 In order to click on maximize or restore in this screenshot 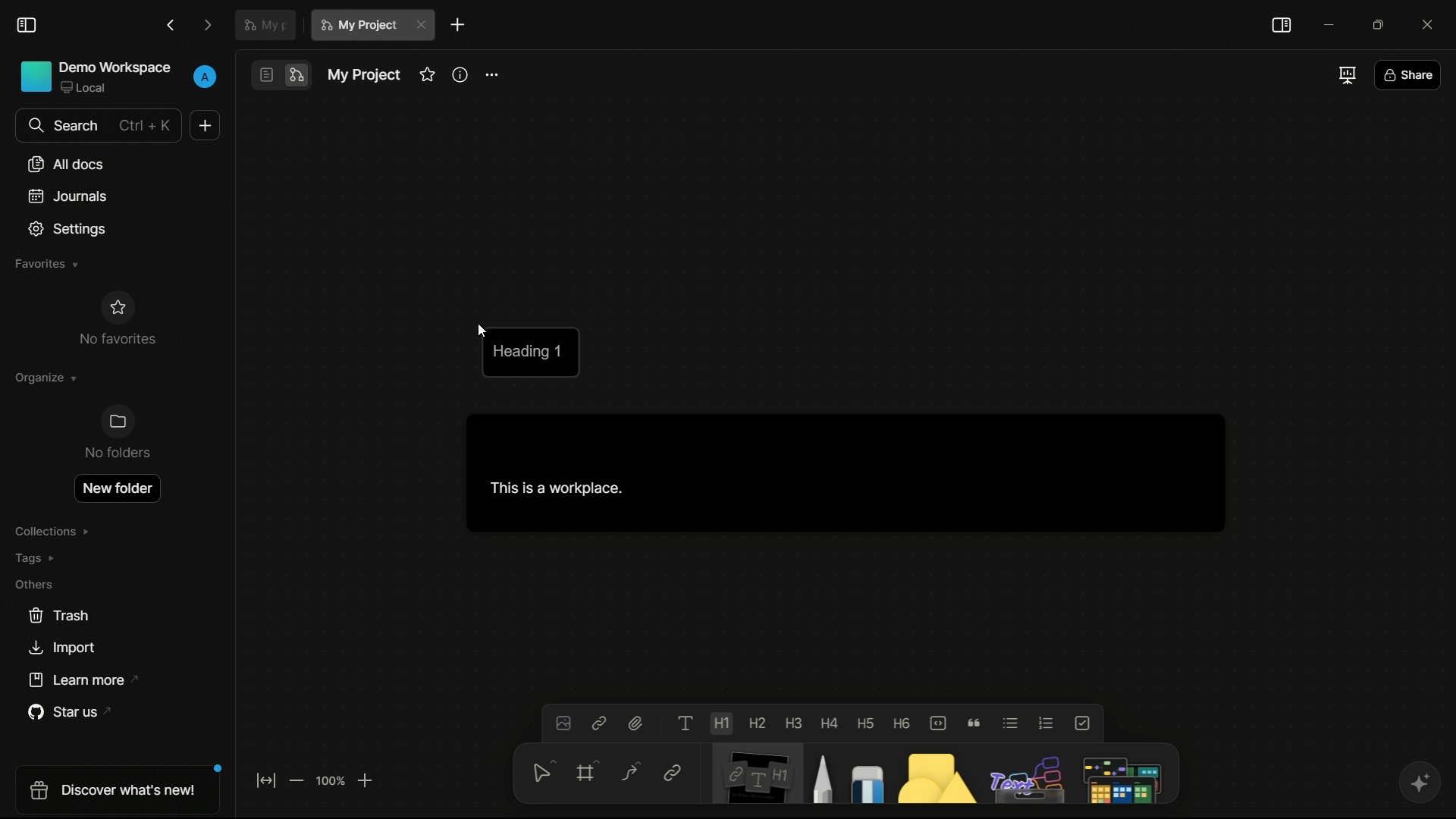, I will do `click(1380, 24)`.